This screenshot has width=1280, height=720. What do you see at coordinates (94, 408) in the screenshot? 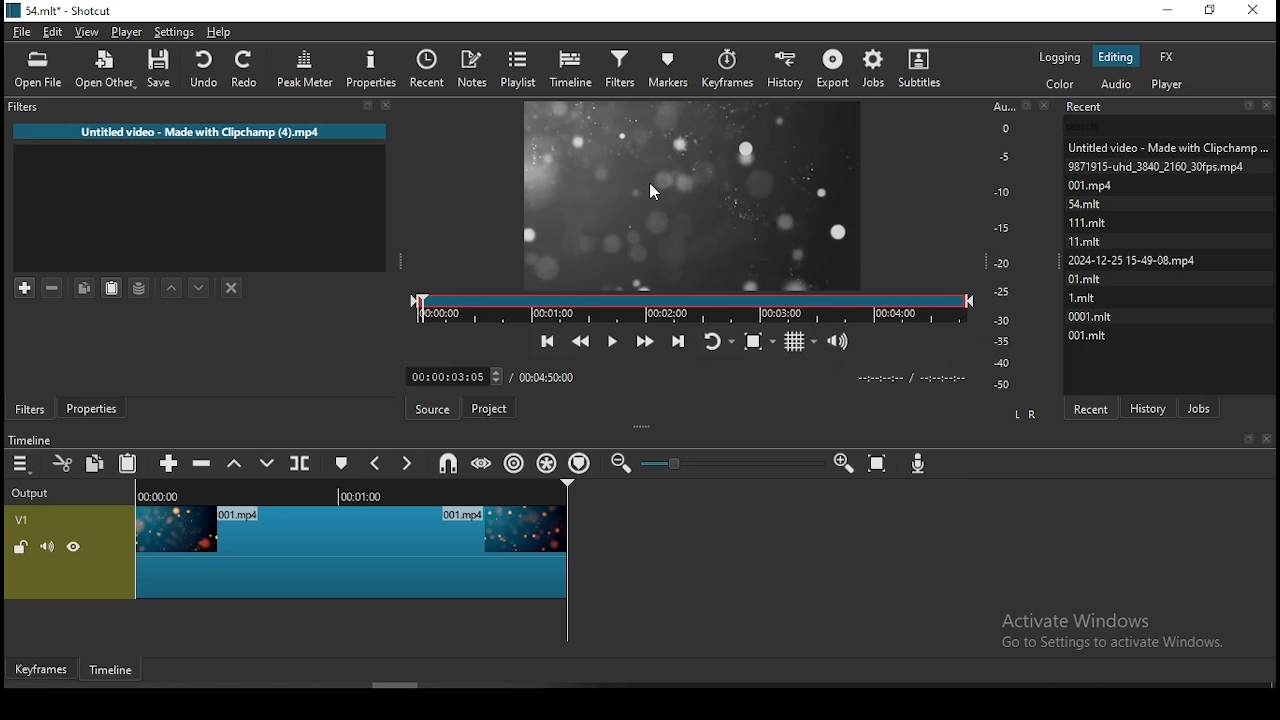
I see `properties` at bounding box center [94, 408].